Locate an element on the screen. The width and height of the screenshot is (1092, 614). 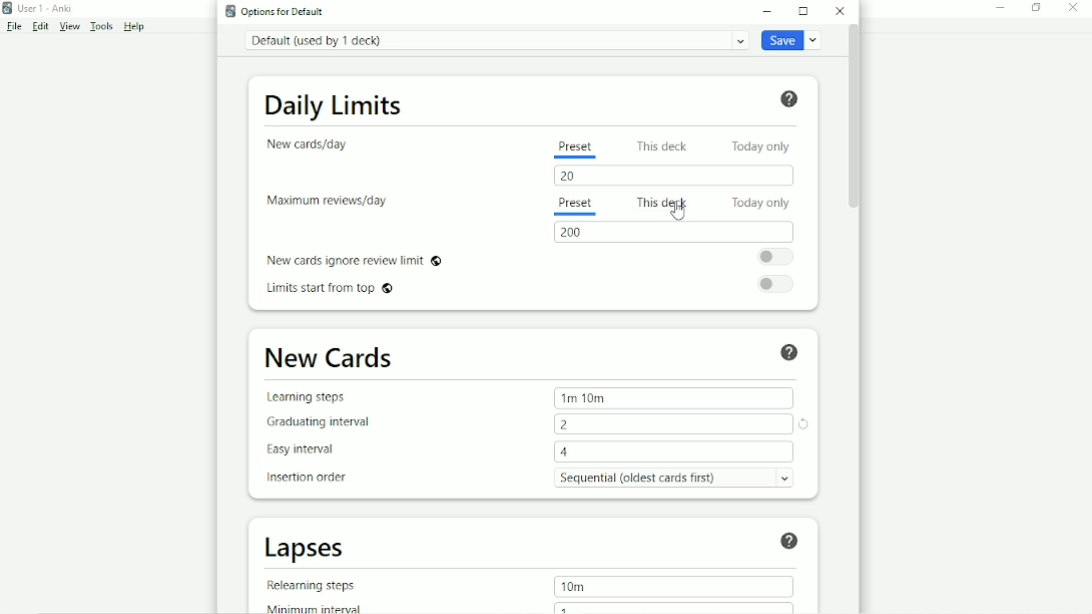
Limits start from top is located at coordinates (334, 290).